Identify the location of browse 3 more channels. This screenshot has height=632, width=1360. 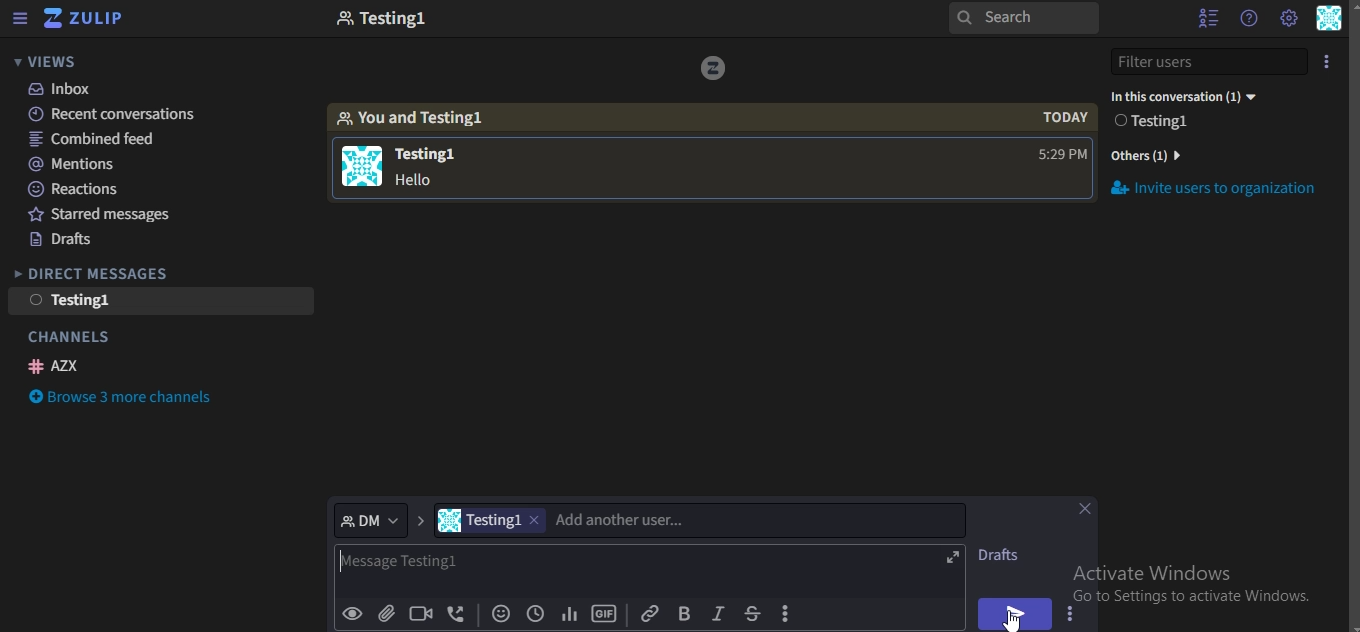
(124, 396).